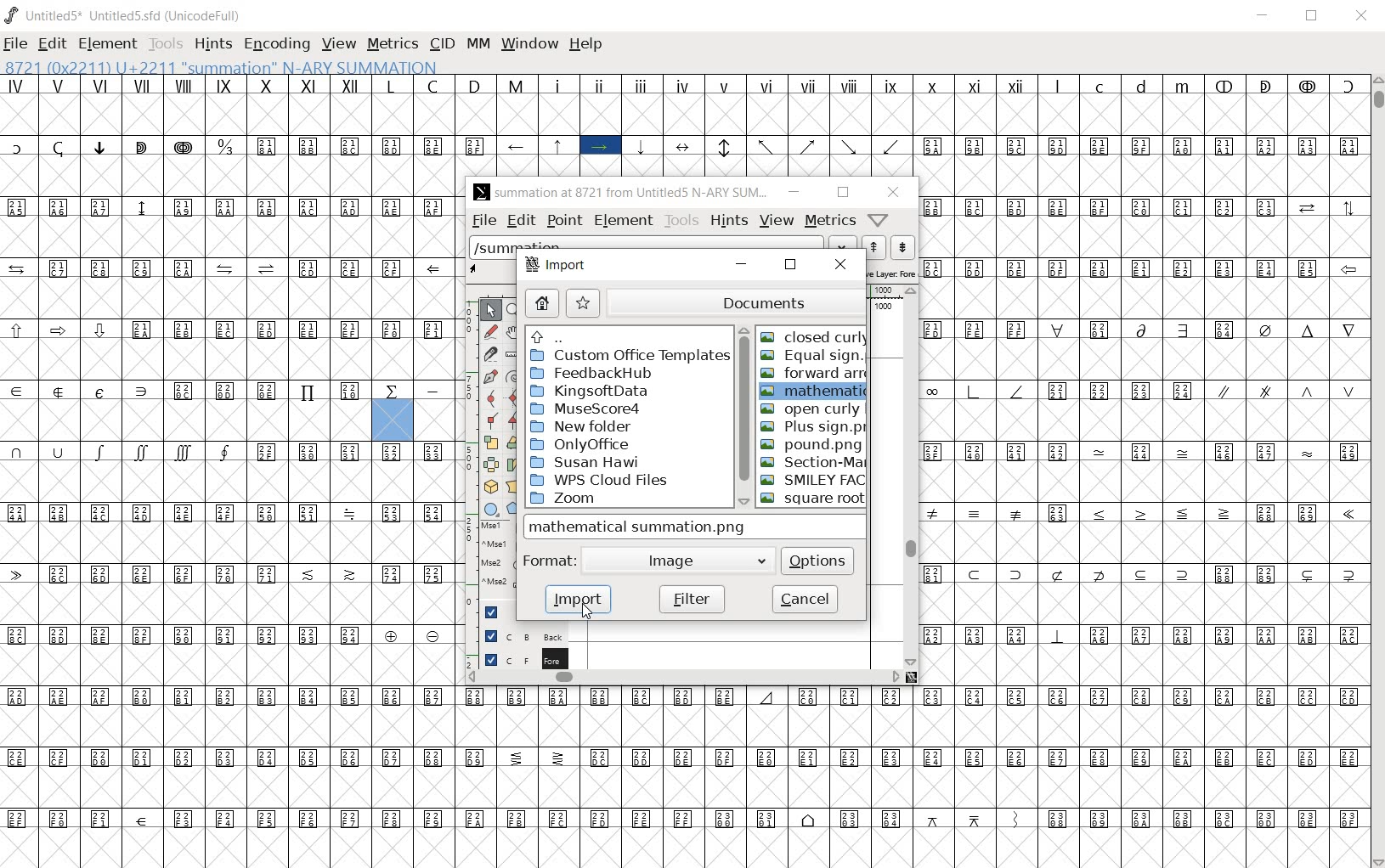  I want to click on MM, so click(477, 43).